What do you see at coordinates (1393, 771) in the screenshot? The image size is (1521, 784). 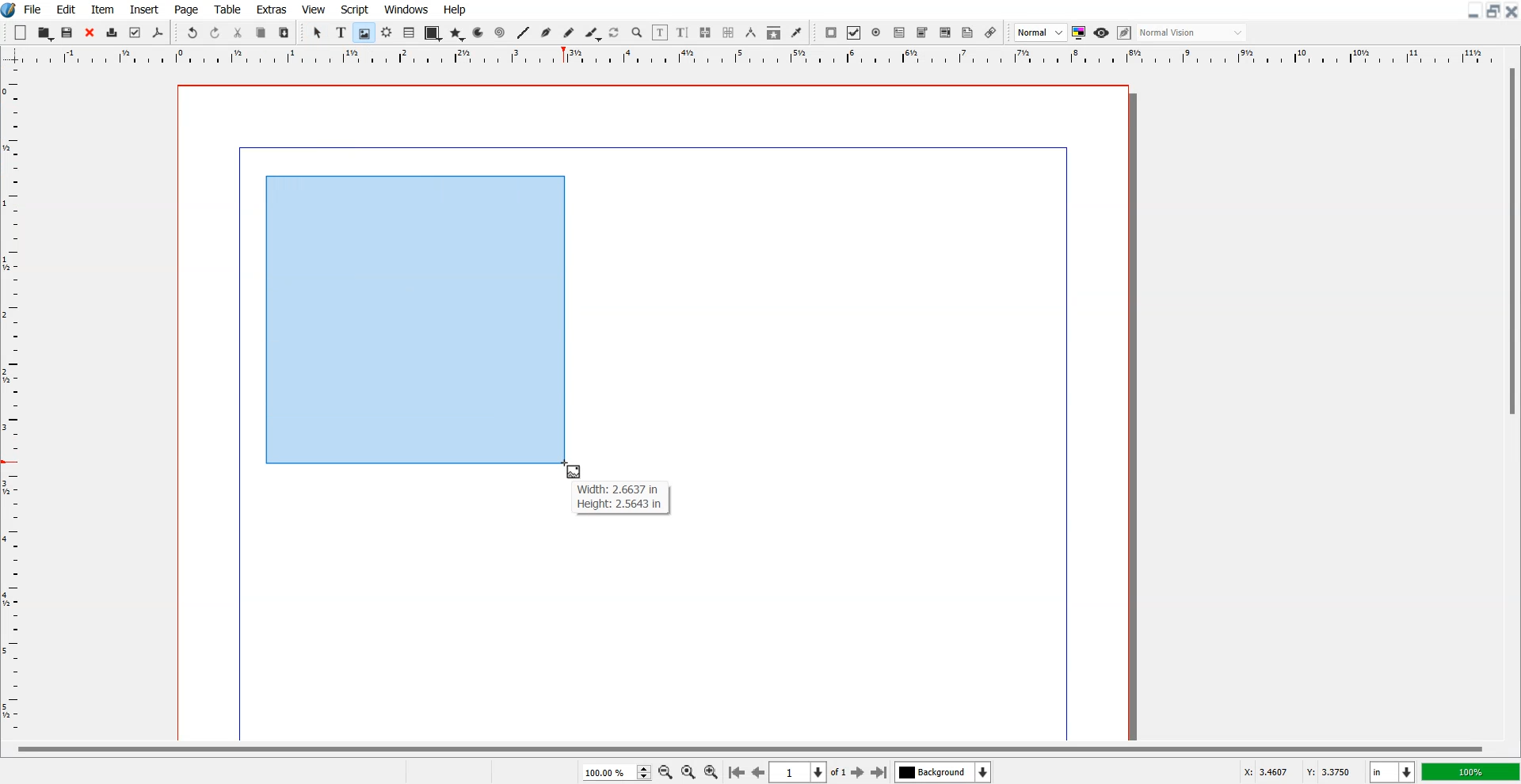 I see `Measurement in inches` at bounding box center [1393, 771].